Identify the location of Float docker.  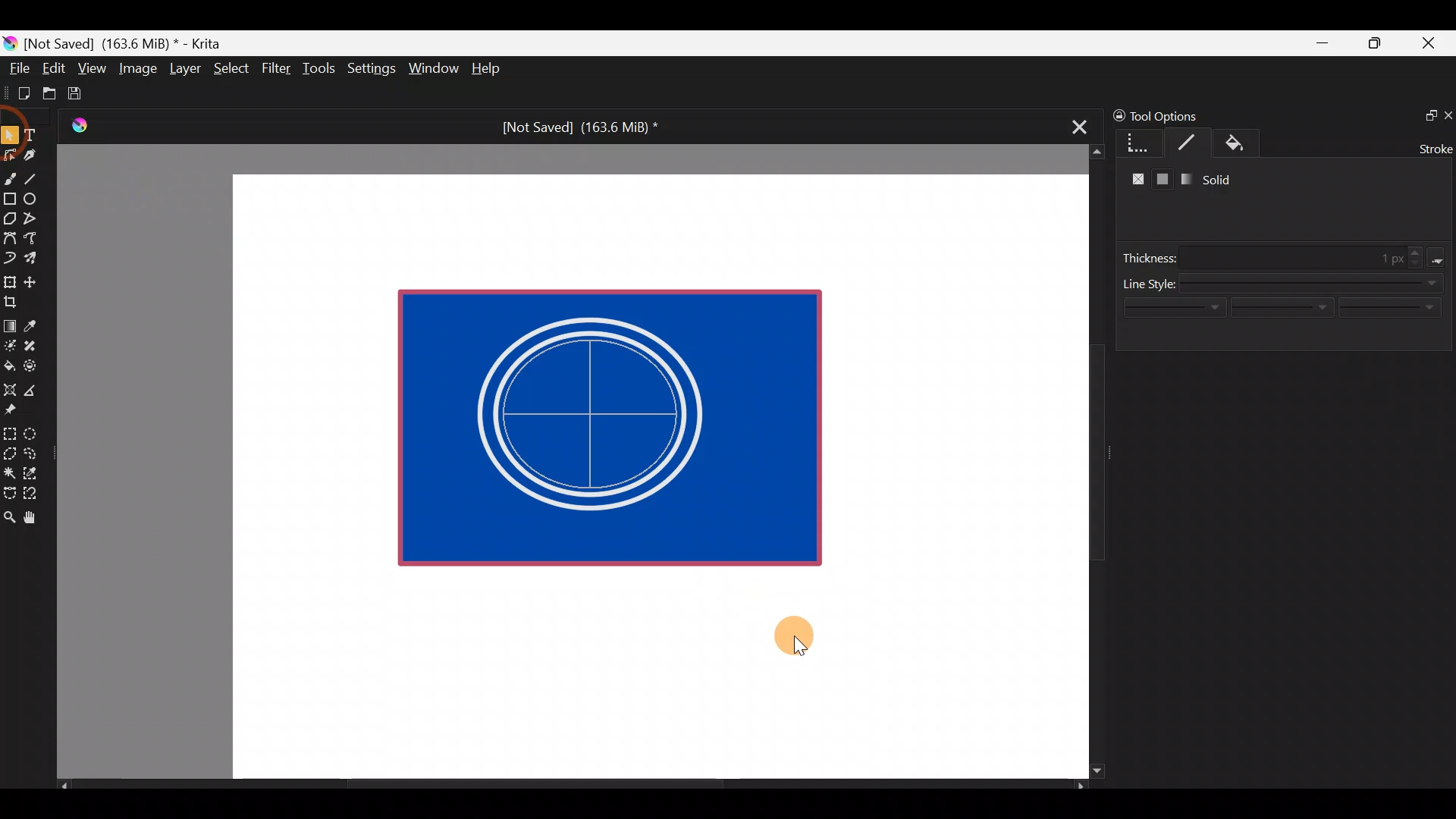
(1424, 114).